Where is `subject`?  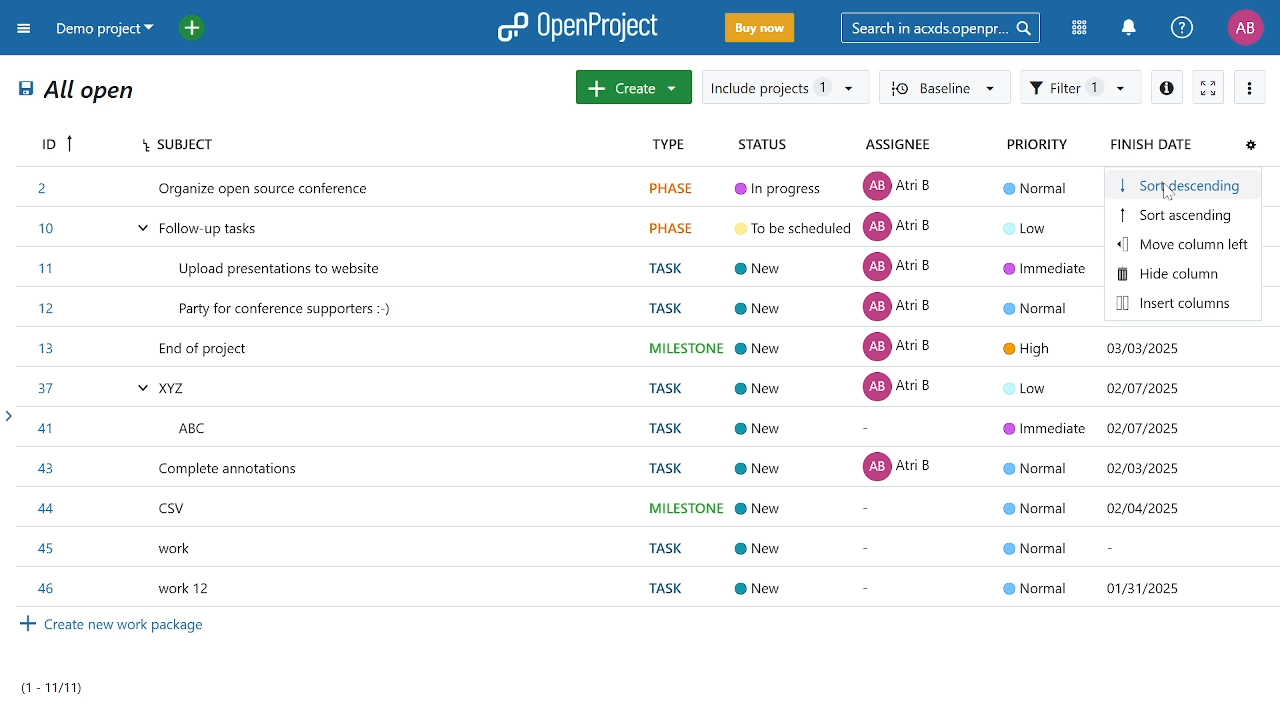 subject is located at coordinates (370, 145).